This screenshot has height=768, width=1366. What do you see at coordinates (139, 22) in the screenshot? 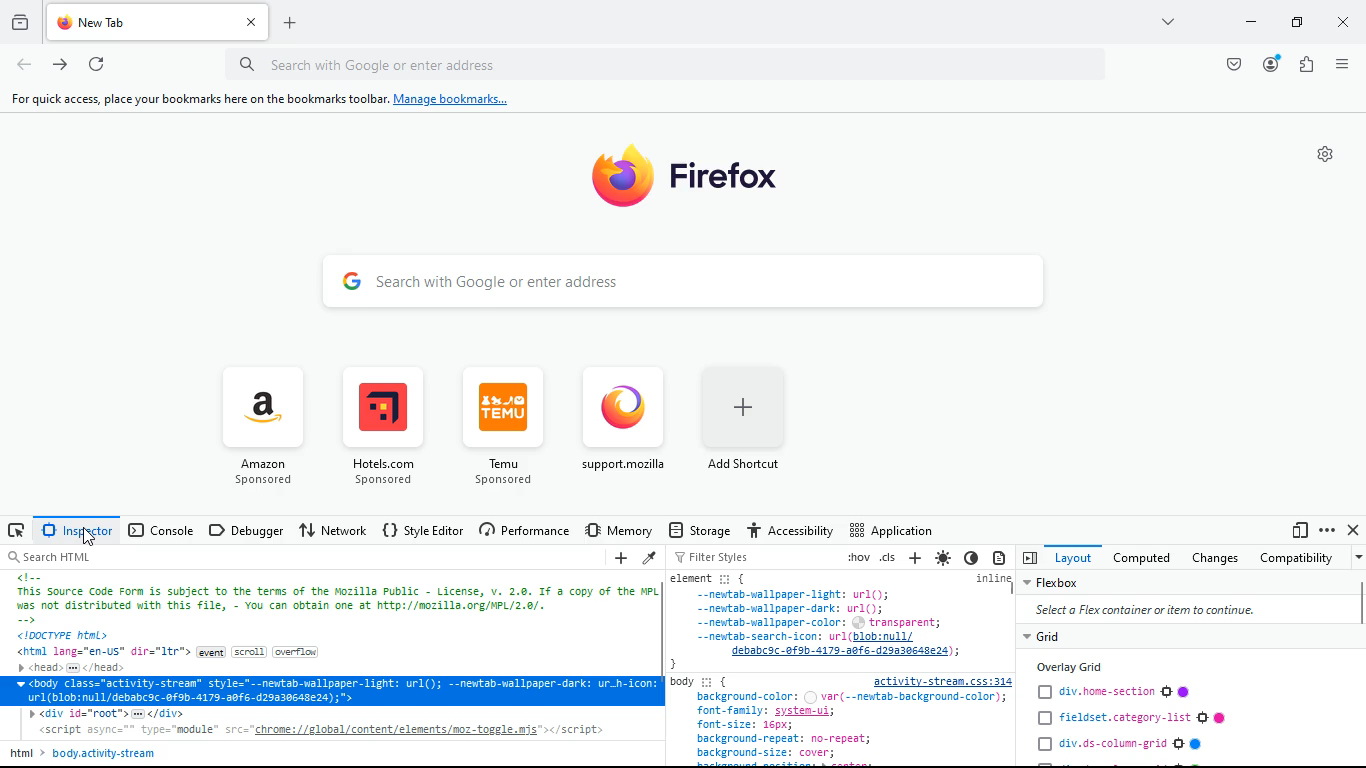
I see `new tab` at bounding box center [139, 22].